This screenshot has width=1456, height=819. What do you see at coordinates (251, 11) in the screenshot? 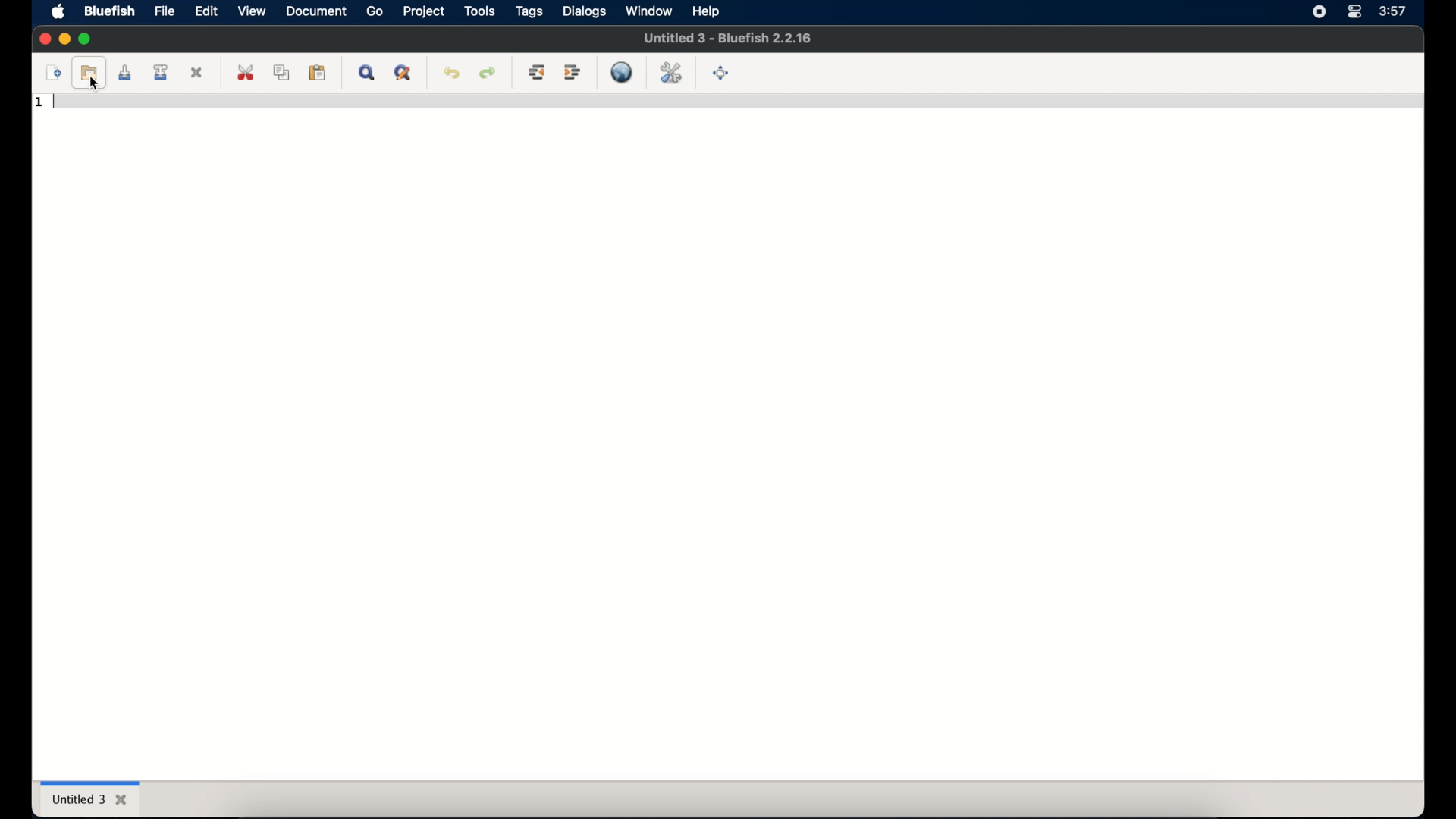
I see `view` at bounding box center [251, 11].